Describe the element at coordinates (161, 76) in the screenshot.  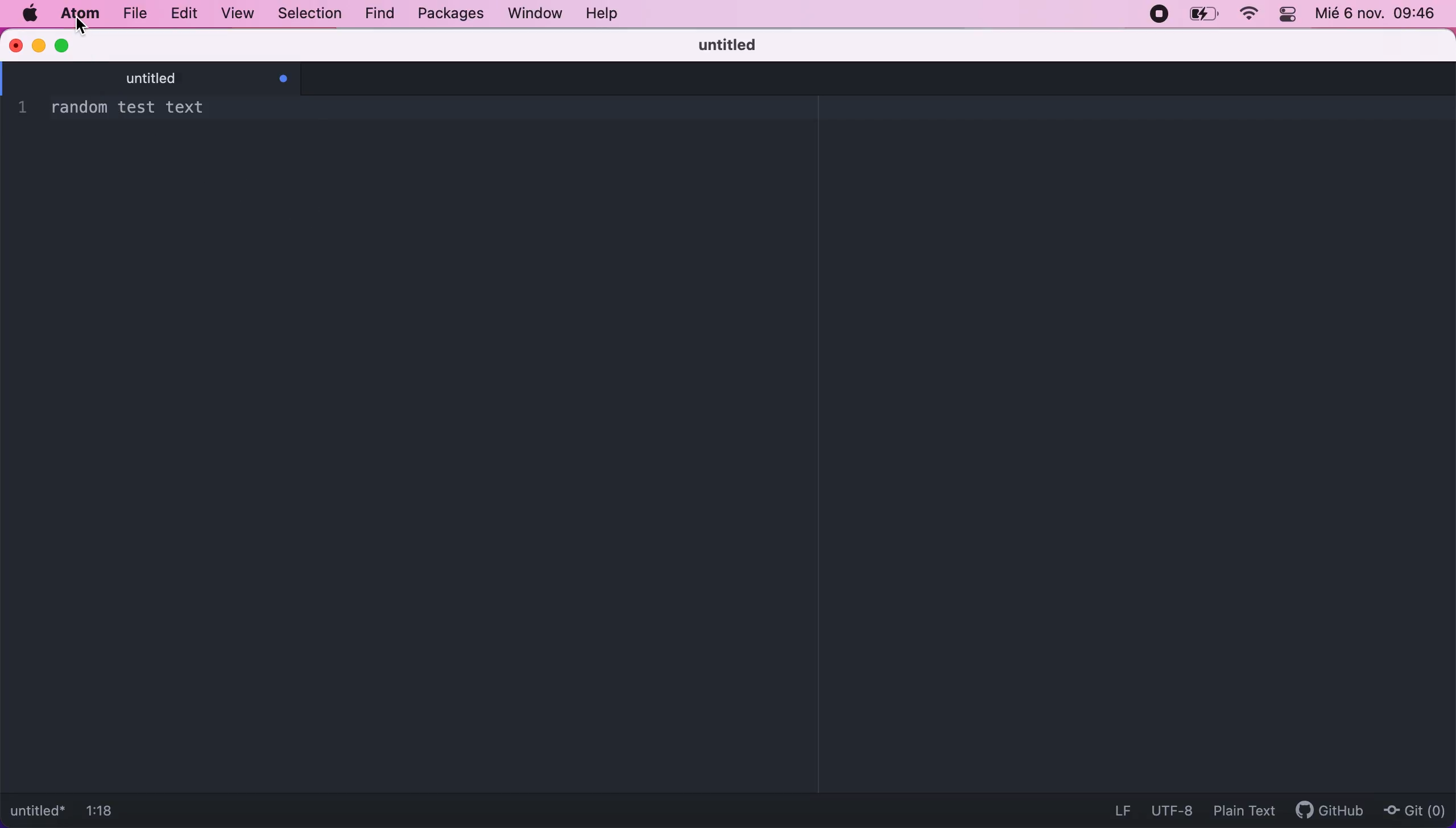
I see `untitled` at that location.